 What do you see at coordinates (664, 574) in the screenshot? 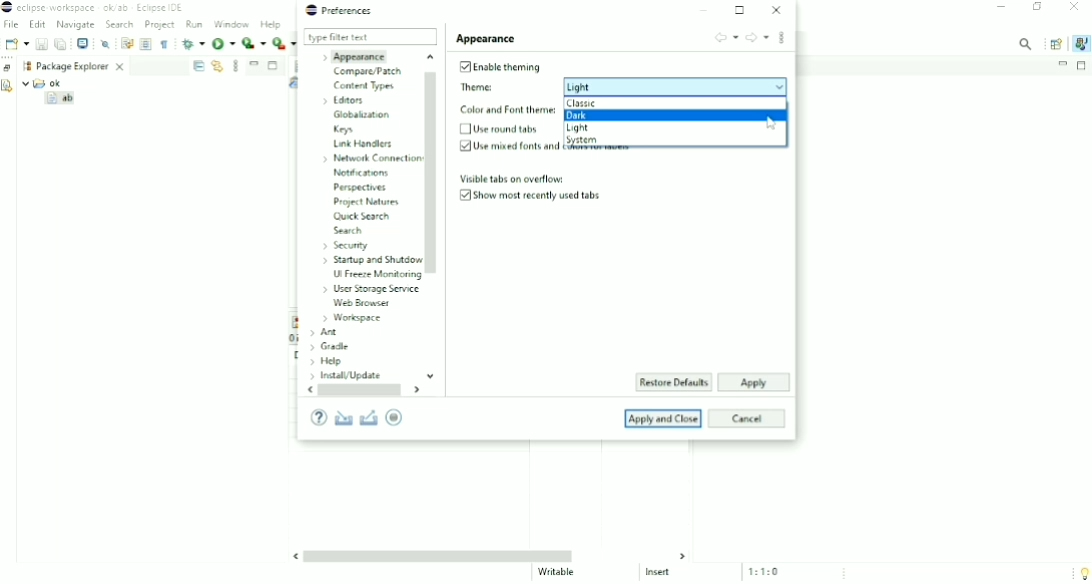
I see `Insert` at bounding box center [664, 574].